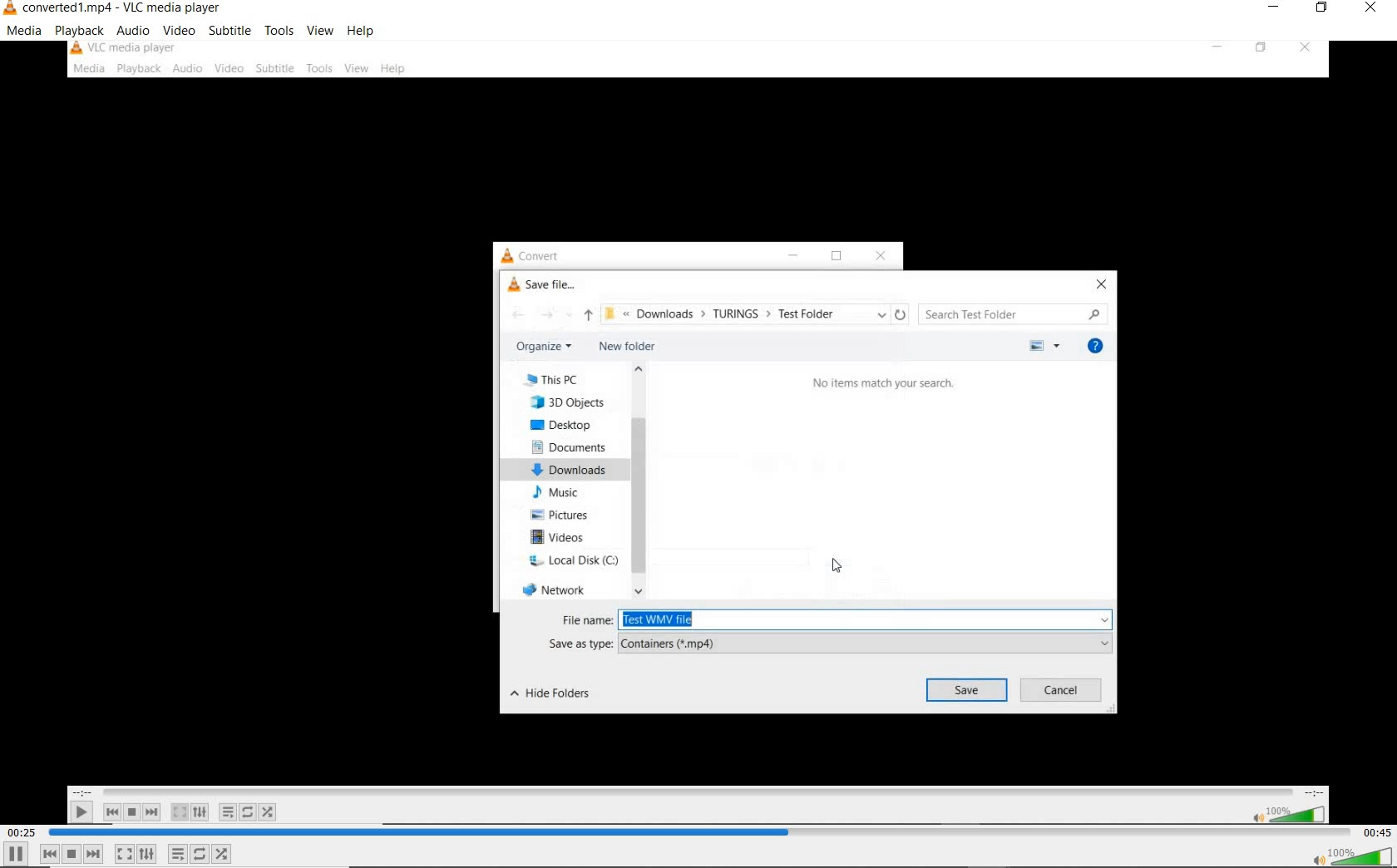 This screenshot has height=868, width=1397. I want to click on restore down, so click(1325, 8).